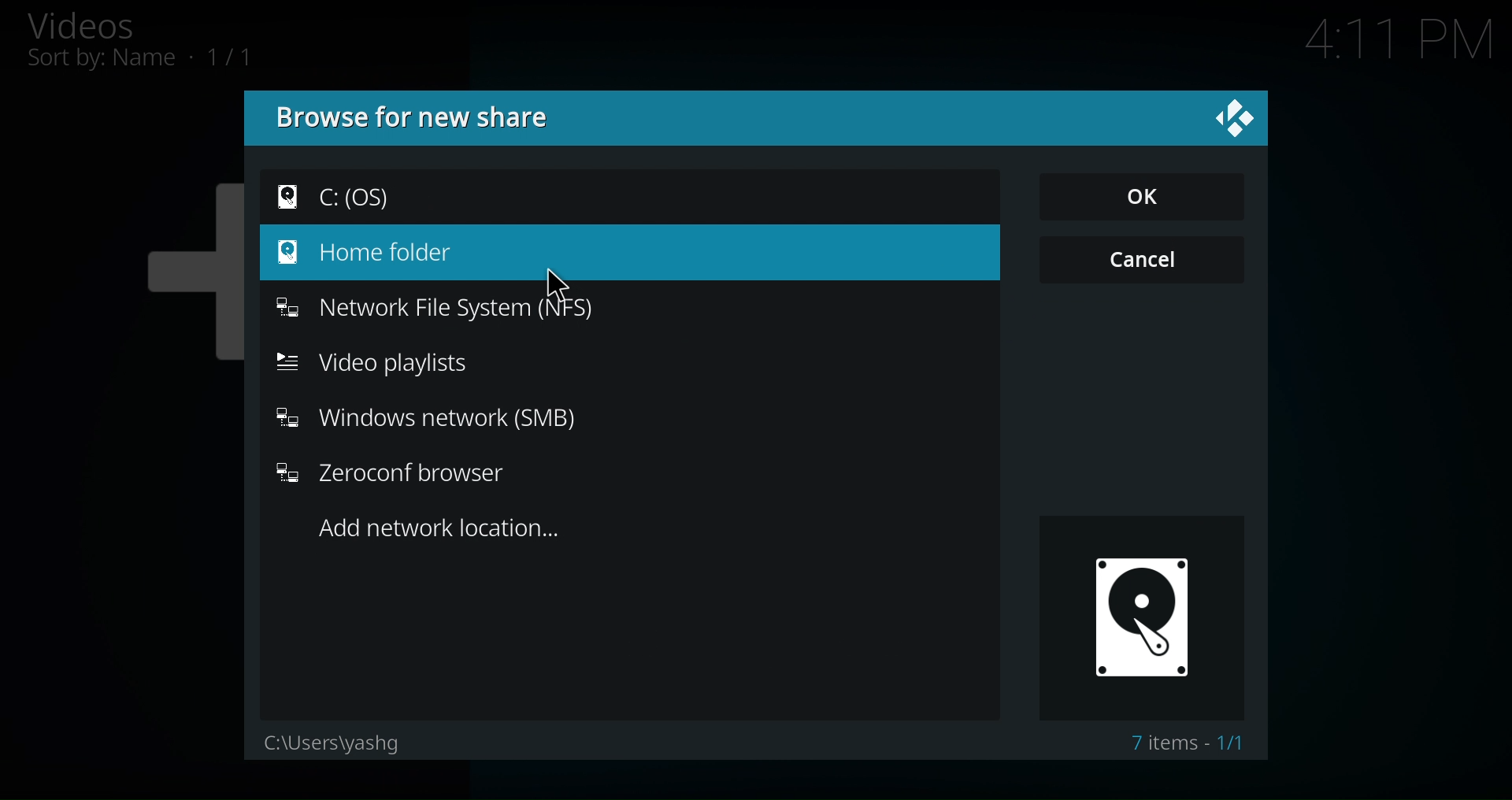 This screenshot has width=1512, height=800. I want to click on Close, so click(1230, 117).